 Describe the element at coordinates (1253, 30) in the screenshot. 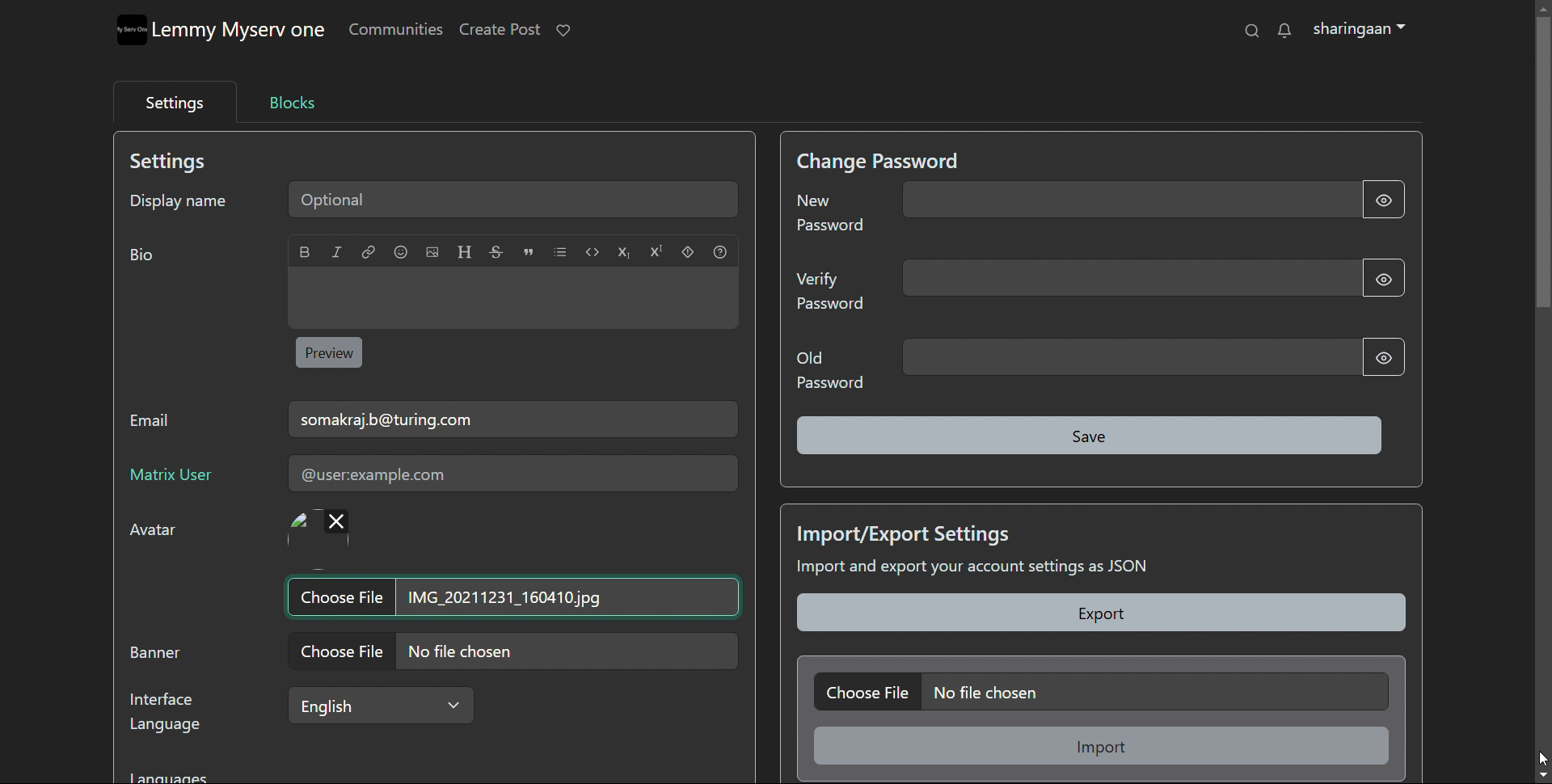

I see `search` at that location.